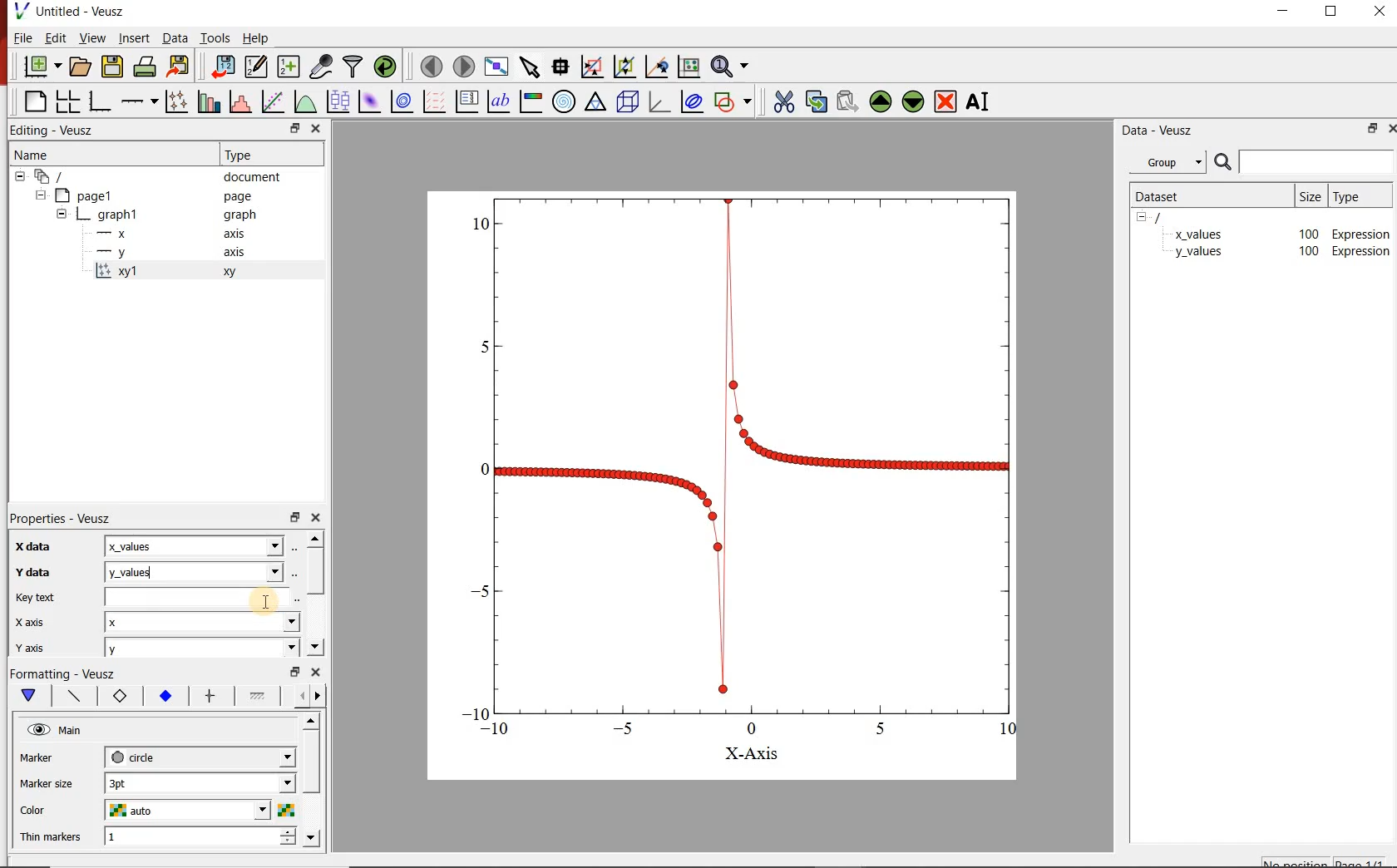 This screenshot has width=1397, height=868. What do you see at coordinates (353, 67) in the screenshot?
I see `filter data` at bounding box center [353, 67].